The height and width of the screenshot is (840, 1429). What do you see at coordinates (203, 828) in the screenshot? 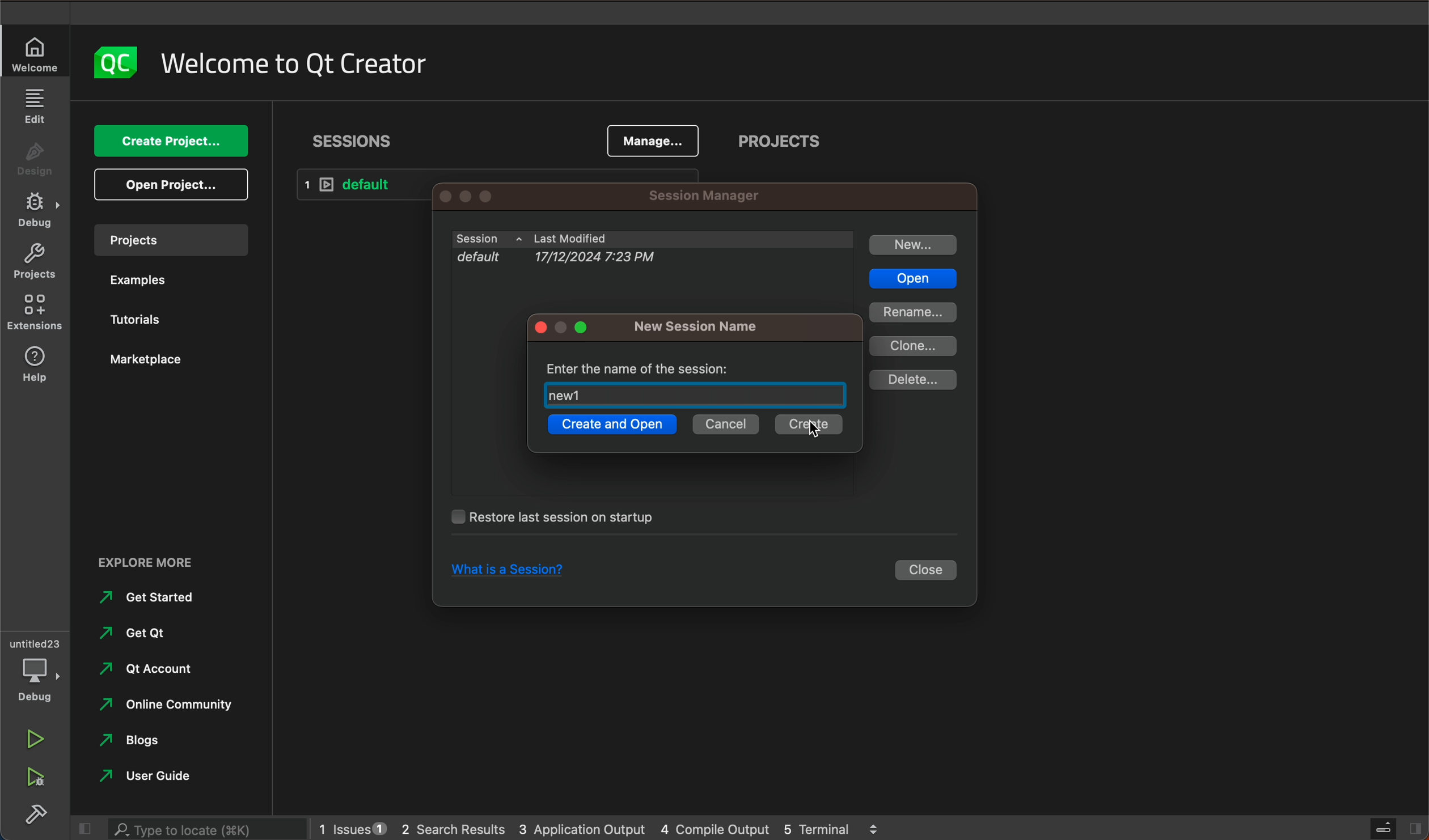
I see `searchbar` at bounding box center [203, 828].